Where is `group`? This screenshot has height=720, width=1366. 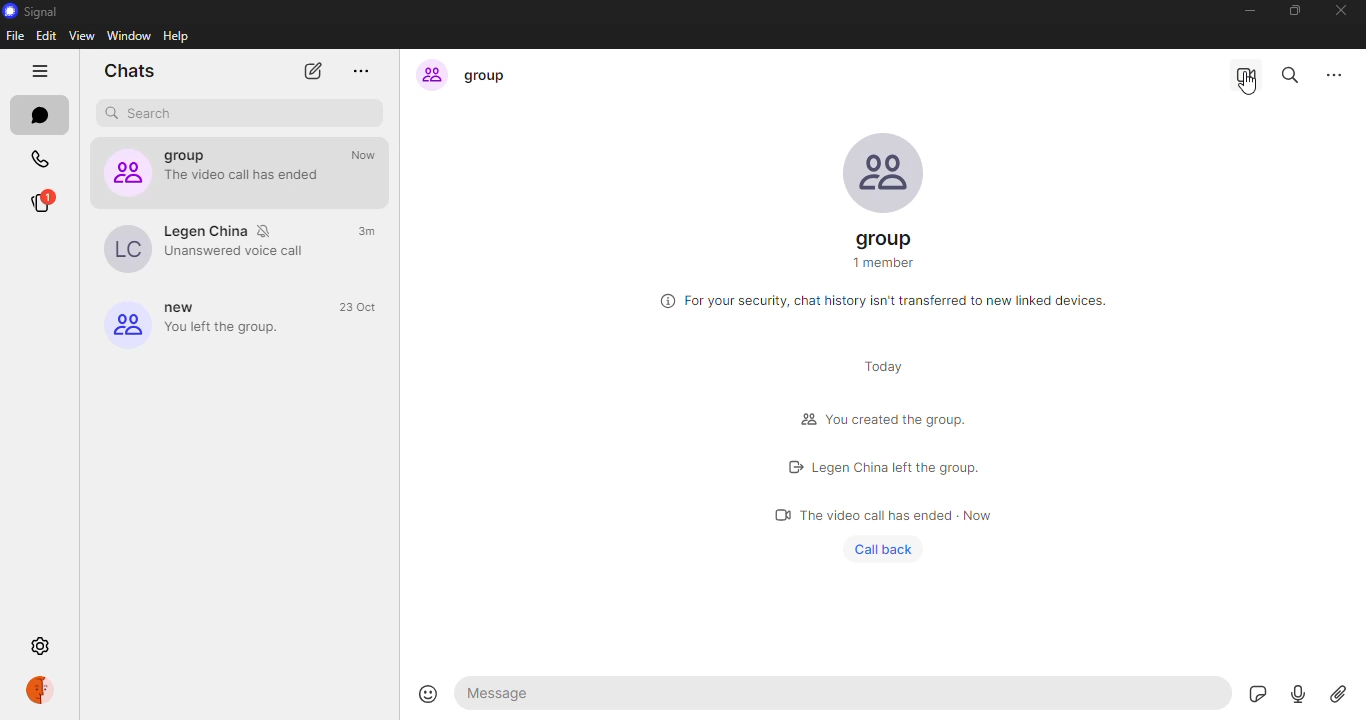 group is located at coordinates (201, 157).